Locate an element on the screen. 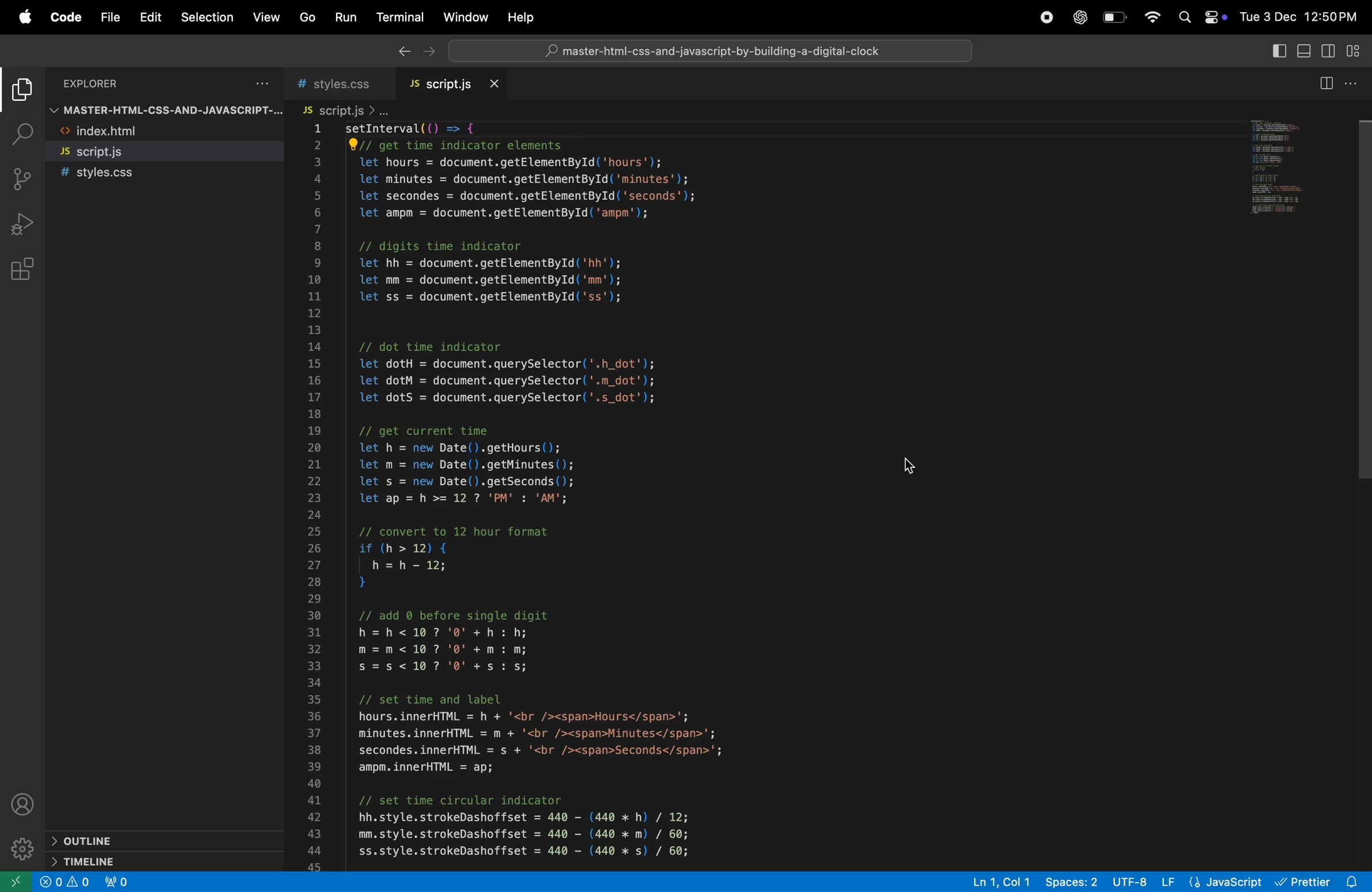 The height and width of the screenshot is (892, 1372).  is located at coordinates (1078, 884).